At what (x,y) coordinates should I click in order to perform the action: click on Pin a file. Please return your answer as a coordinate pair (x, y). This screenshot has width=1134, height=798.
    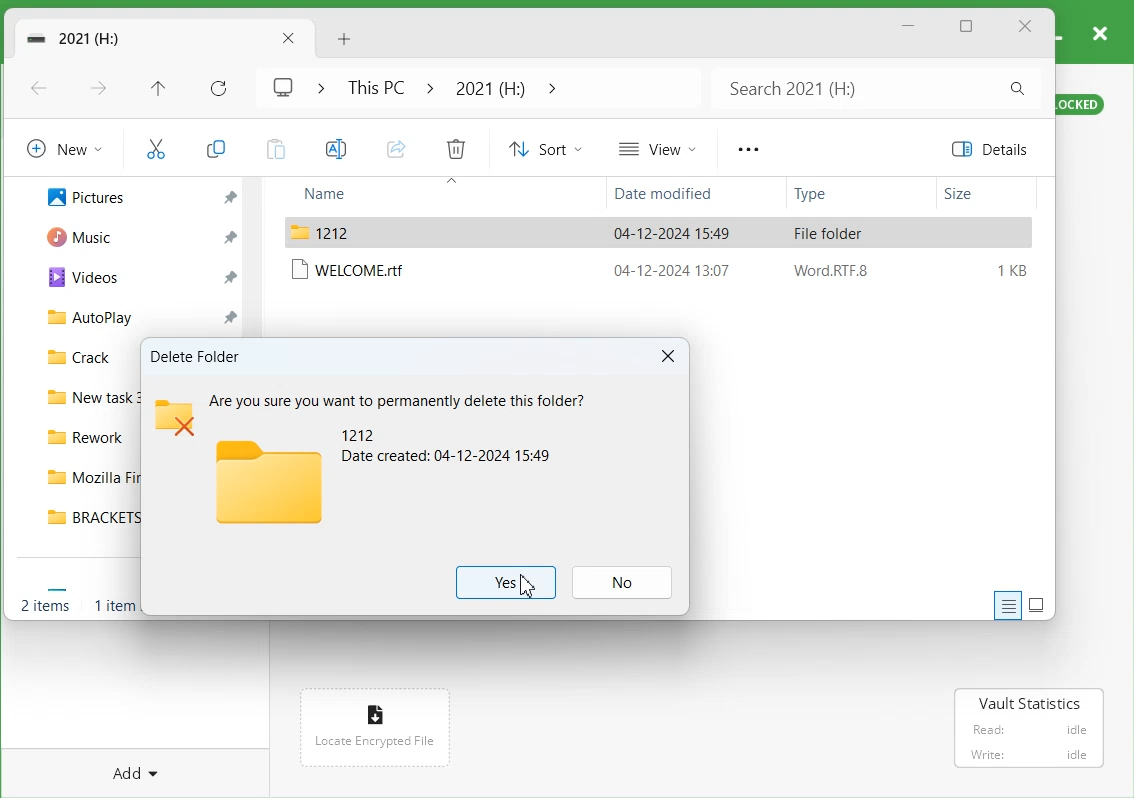
    Looking at the image, I should click on (229, 194).